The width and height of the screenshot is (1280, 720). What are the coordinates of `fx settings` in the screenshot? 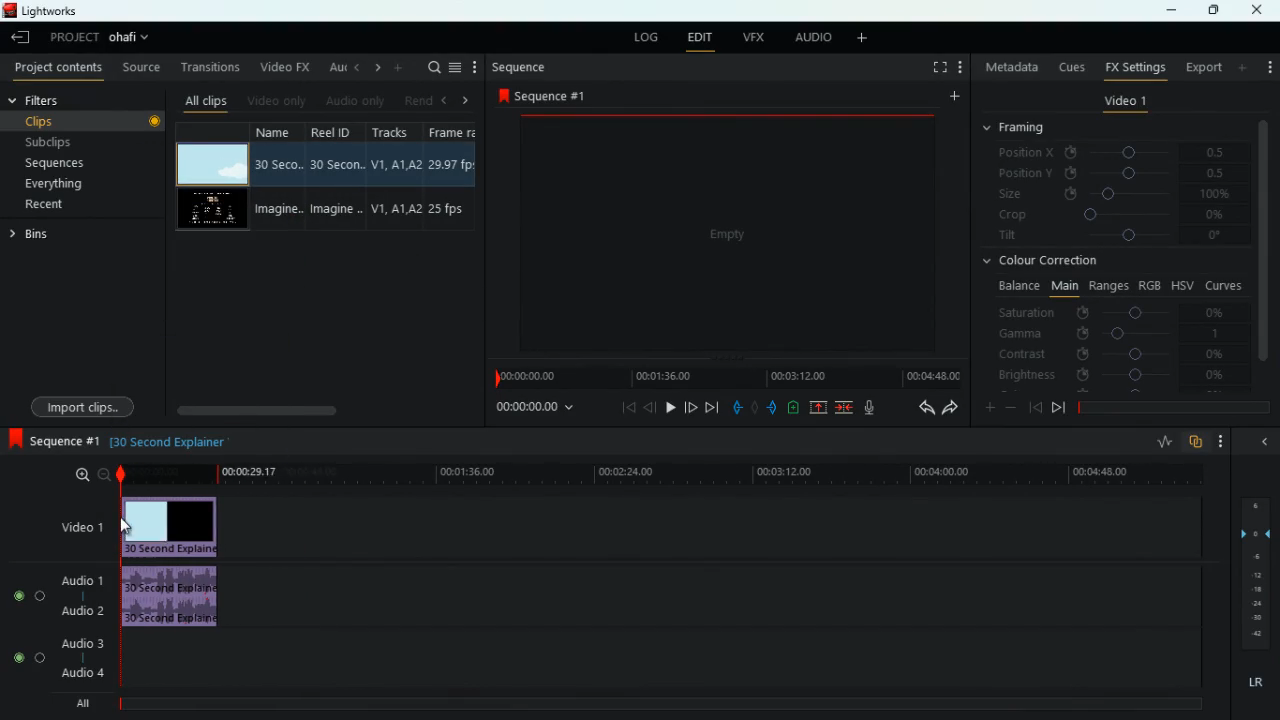 It's located at (1133, 67).